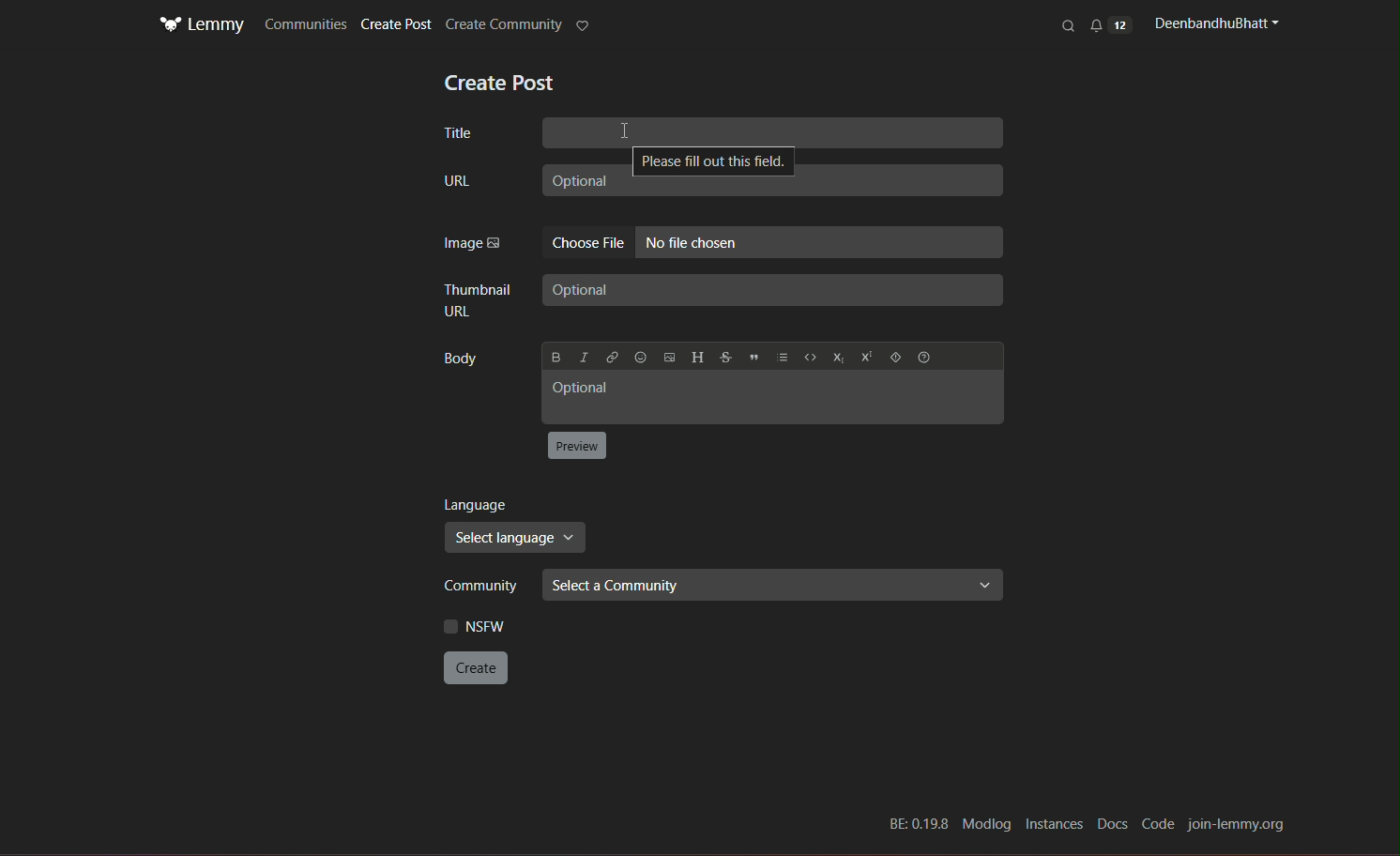 This screenshot has height=856, width=1400. Describe the element at coordinates (465, 361) in the screenshot. I see `Body` at that location.